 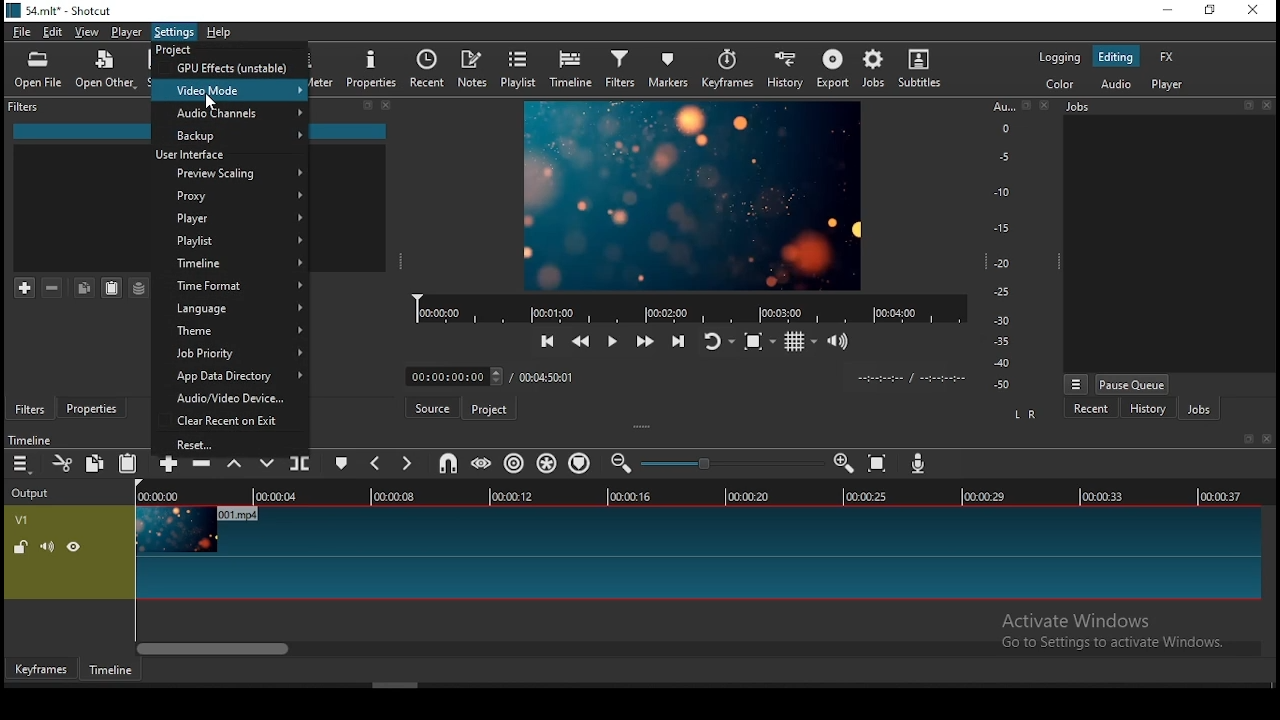 What do you see at coordinates (781, 71) in the screenshot?
I see `history` at bounding box center [781, 71].